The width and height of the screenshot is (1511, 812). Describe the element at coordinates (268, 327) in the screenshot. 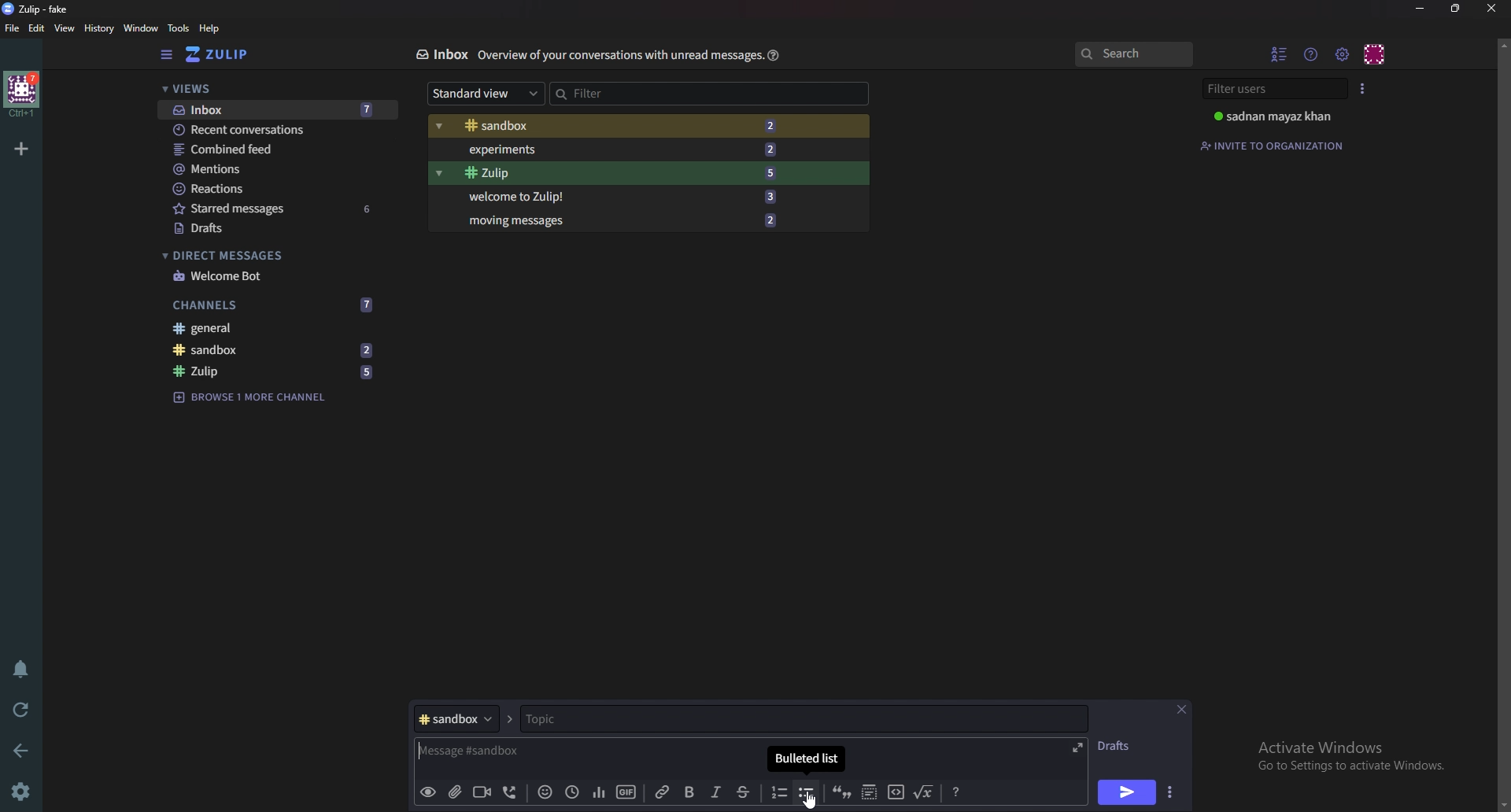

I see `General` at that location.